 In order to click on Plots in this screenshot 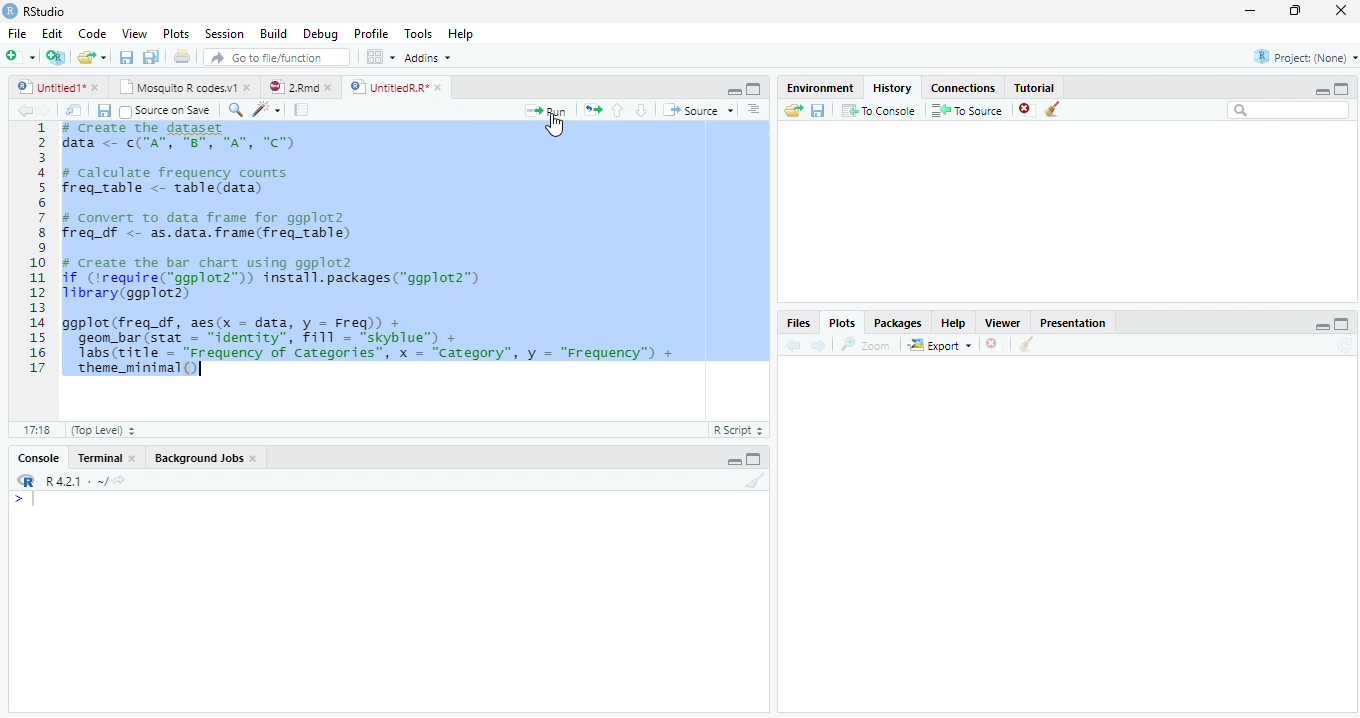, I will do `click(177, 35)`.